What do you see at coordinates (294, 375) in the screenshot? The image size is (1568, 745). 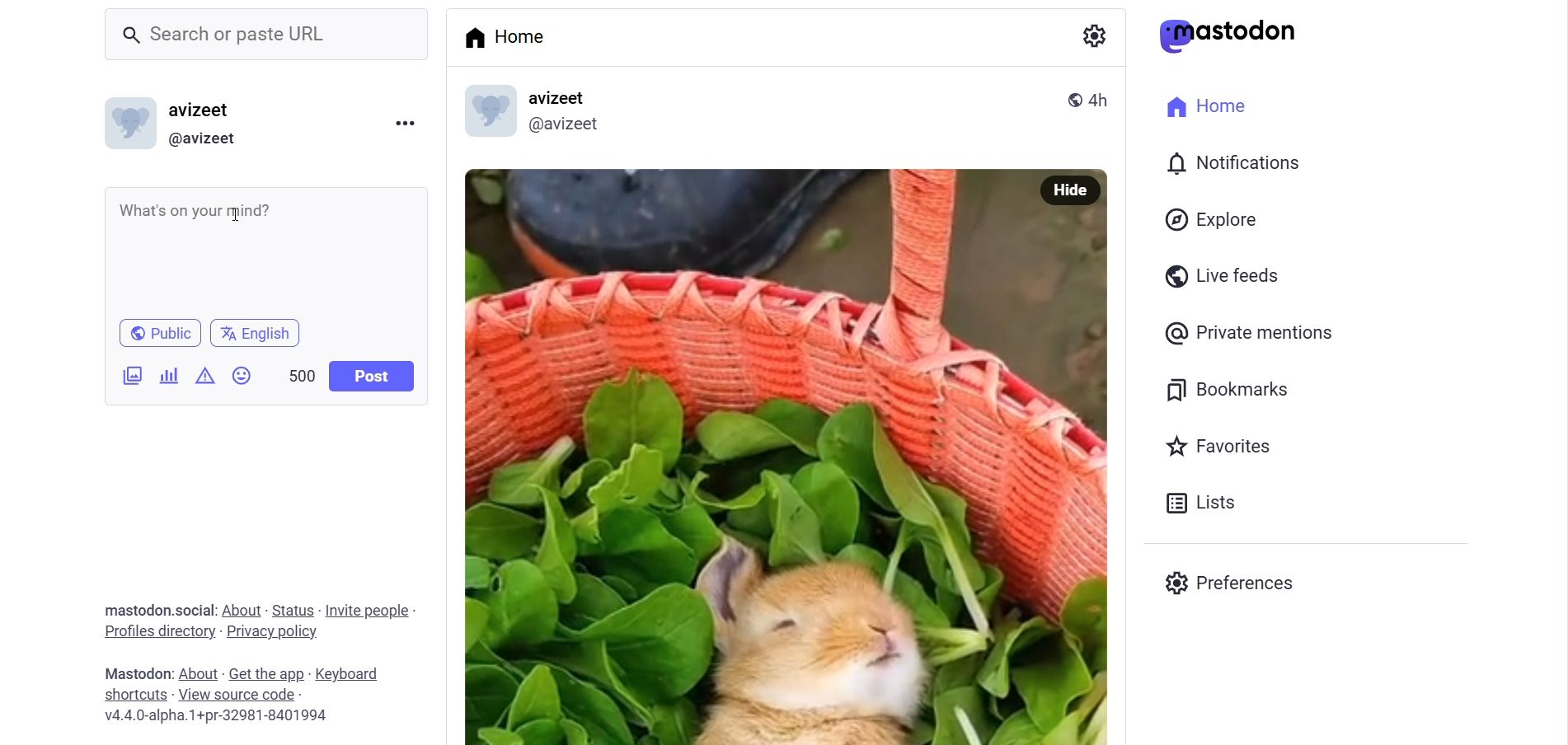 I see `500` at bounding box center [294, 375].